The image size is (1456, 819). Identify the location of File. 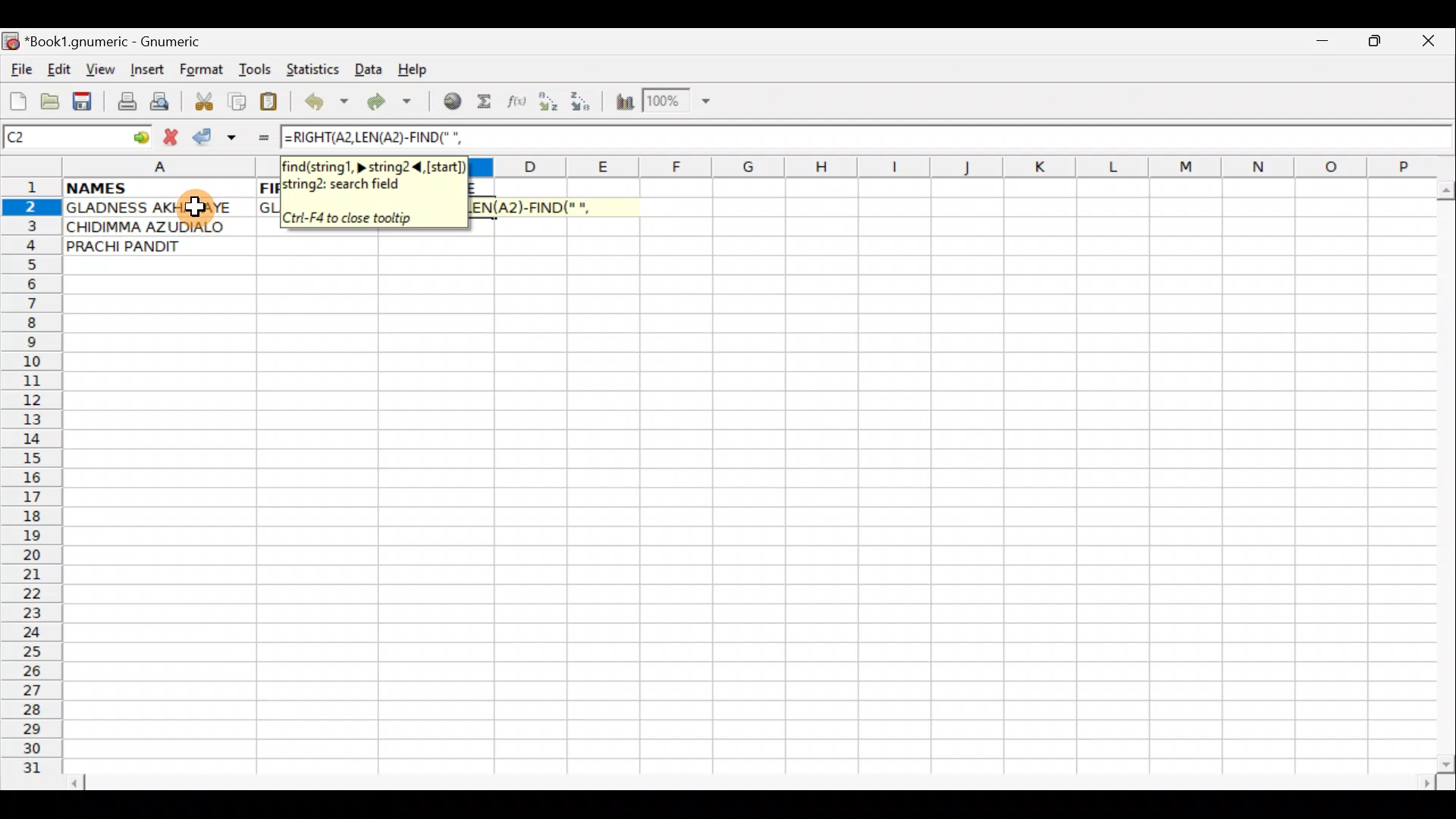
(20, 71).